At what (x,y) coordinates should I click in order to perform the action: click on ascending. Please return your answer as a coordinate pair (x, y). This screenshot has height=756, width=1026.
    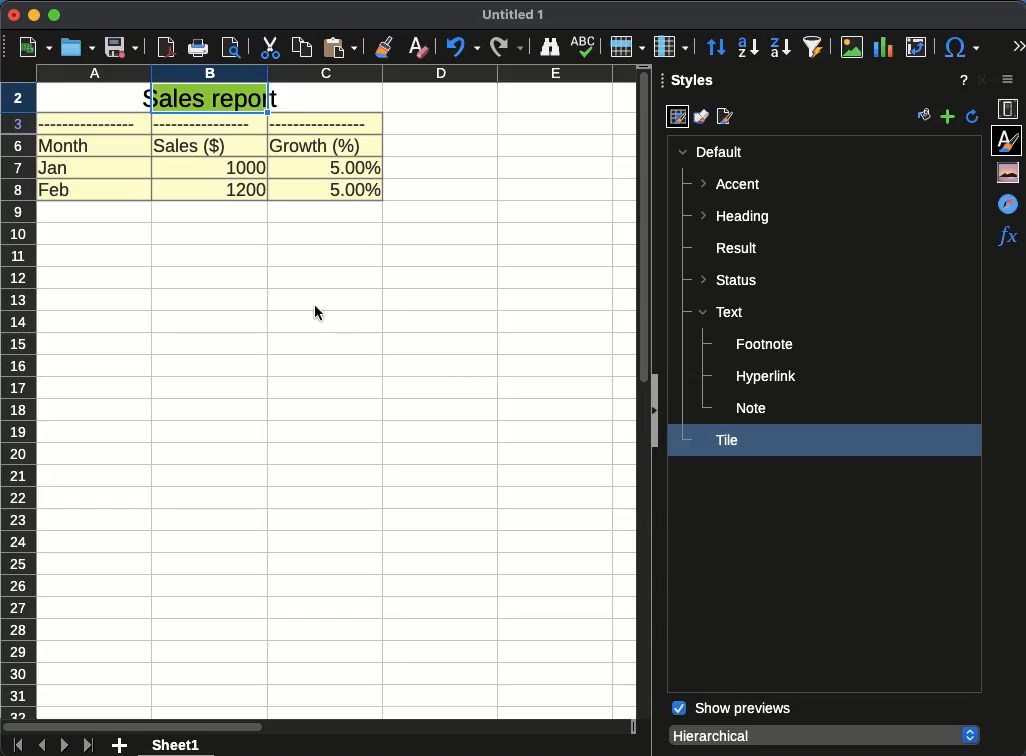
    Looking at the image, I should click on (748, 47).